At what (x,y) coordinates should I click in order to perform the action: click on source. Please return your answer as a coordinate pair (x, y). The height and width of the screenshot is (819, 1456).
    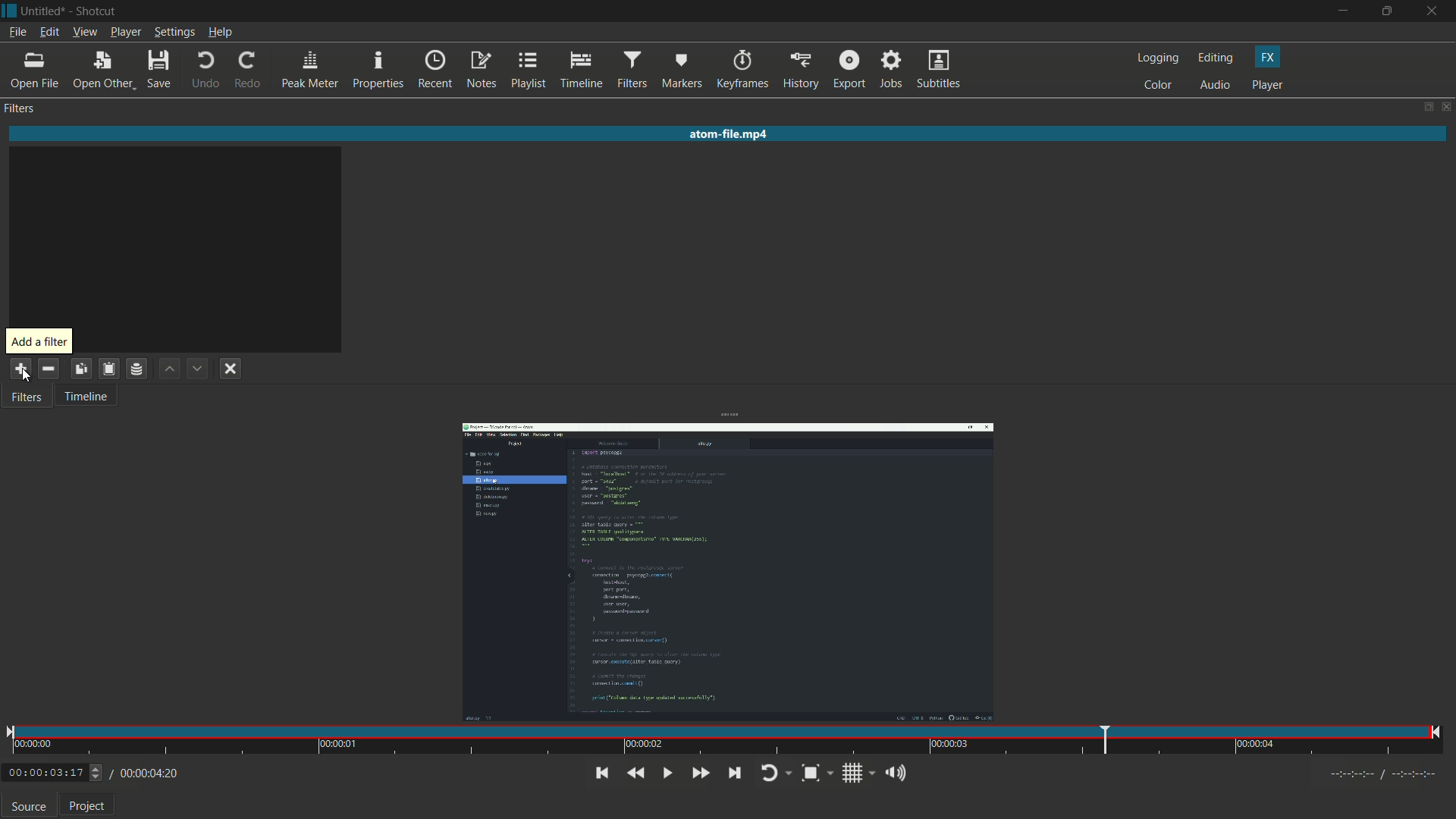
    Looking at the image, I should click on (29, 808).